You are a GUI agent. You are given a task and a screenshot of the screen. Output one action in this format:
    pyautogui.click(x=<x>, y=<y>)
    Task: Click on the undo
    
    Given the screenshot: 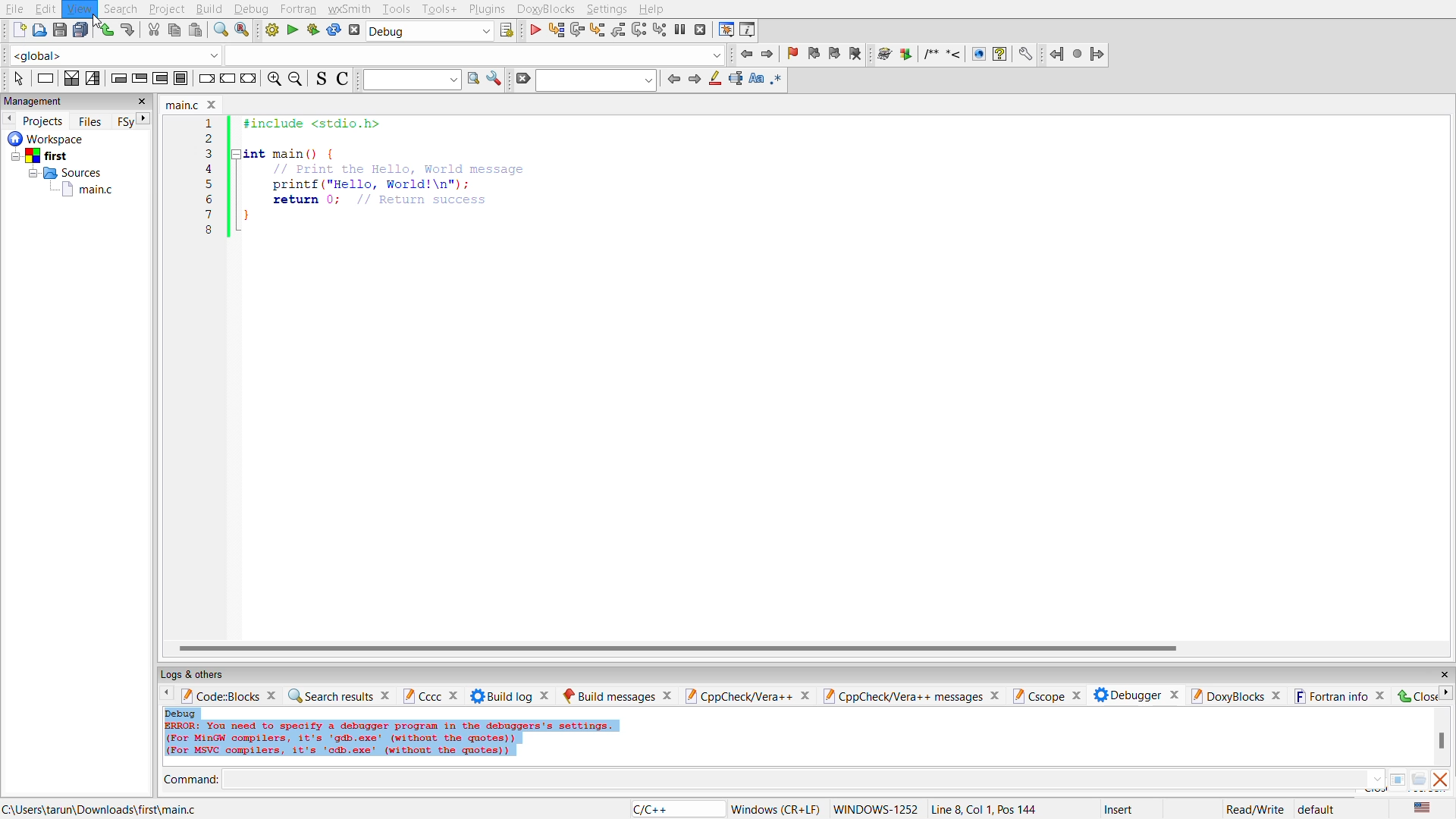 What is the action you would take?
    pyautogui.click(x=105, y=33)
    